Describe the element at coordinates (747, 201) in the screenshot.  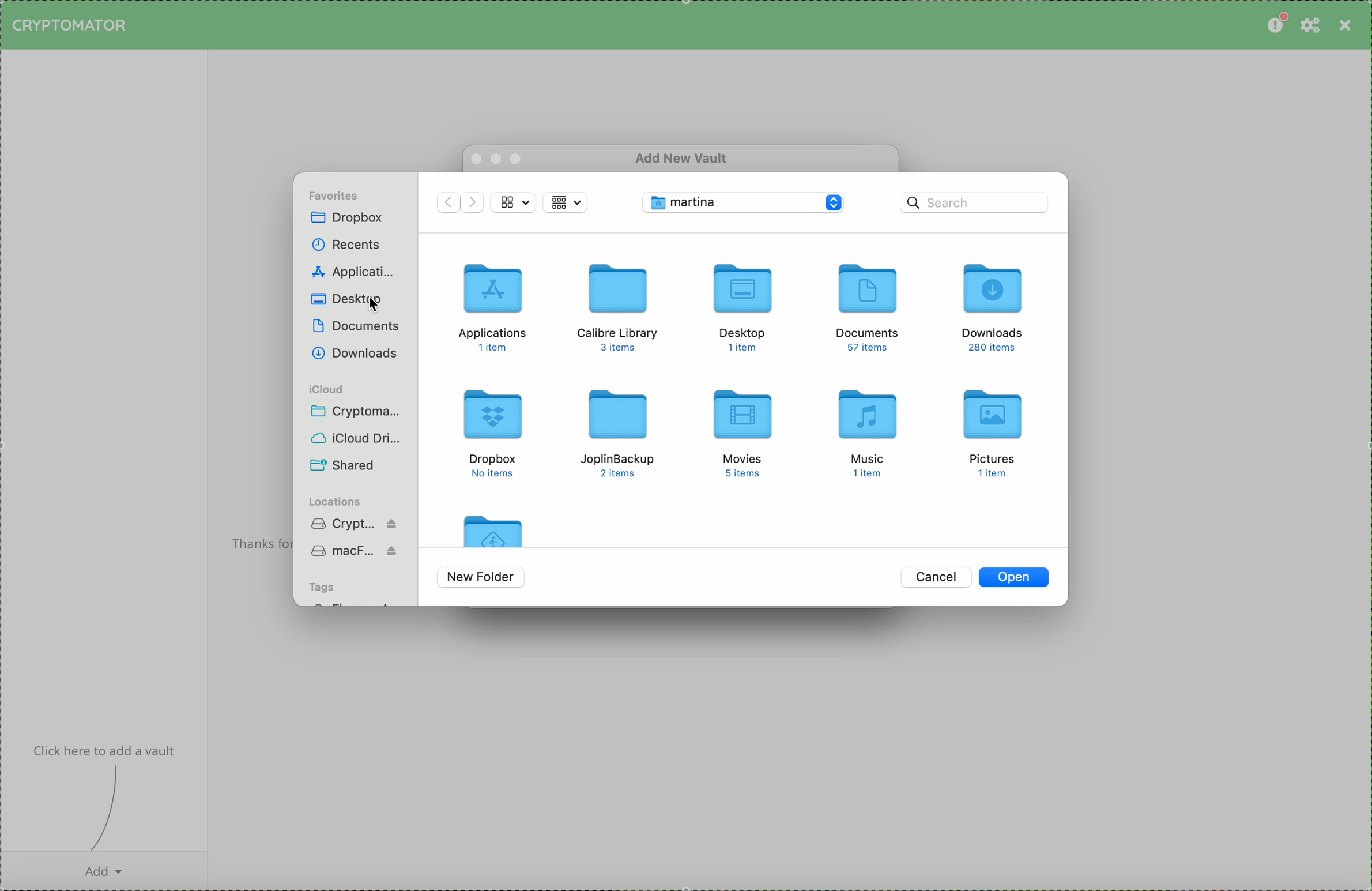
I see `desktop folder` at that location.